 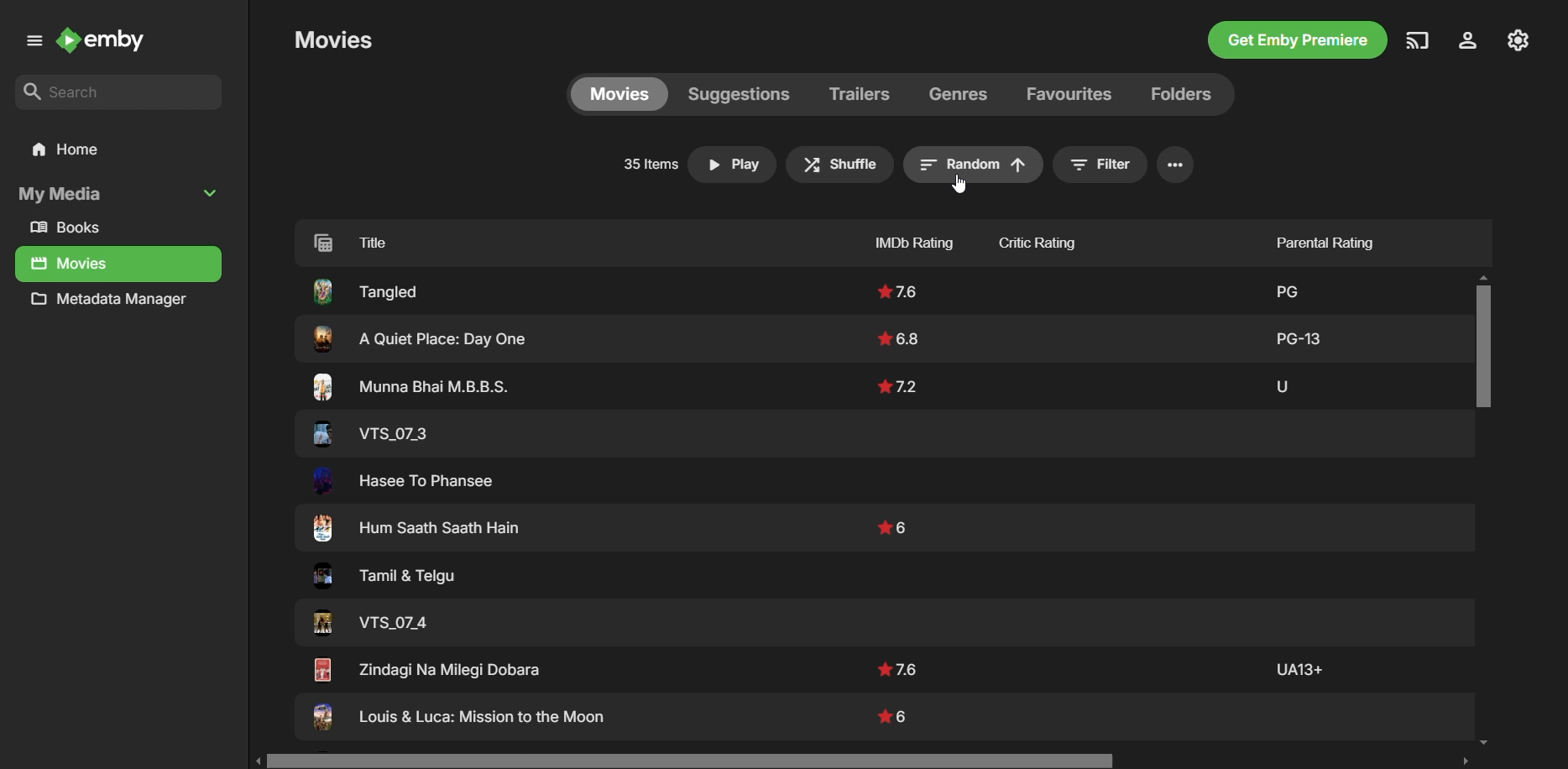 What do you see at coordinates (1295, 42) in the screenshot?
I see `Get Emby Premier` at bounding box center [1295, 42].